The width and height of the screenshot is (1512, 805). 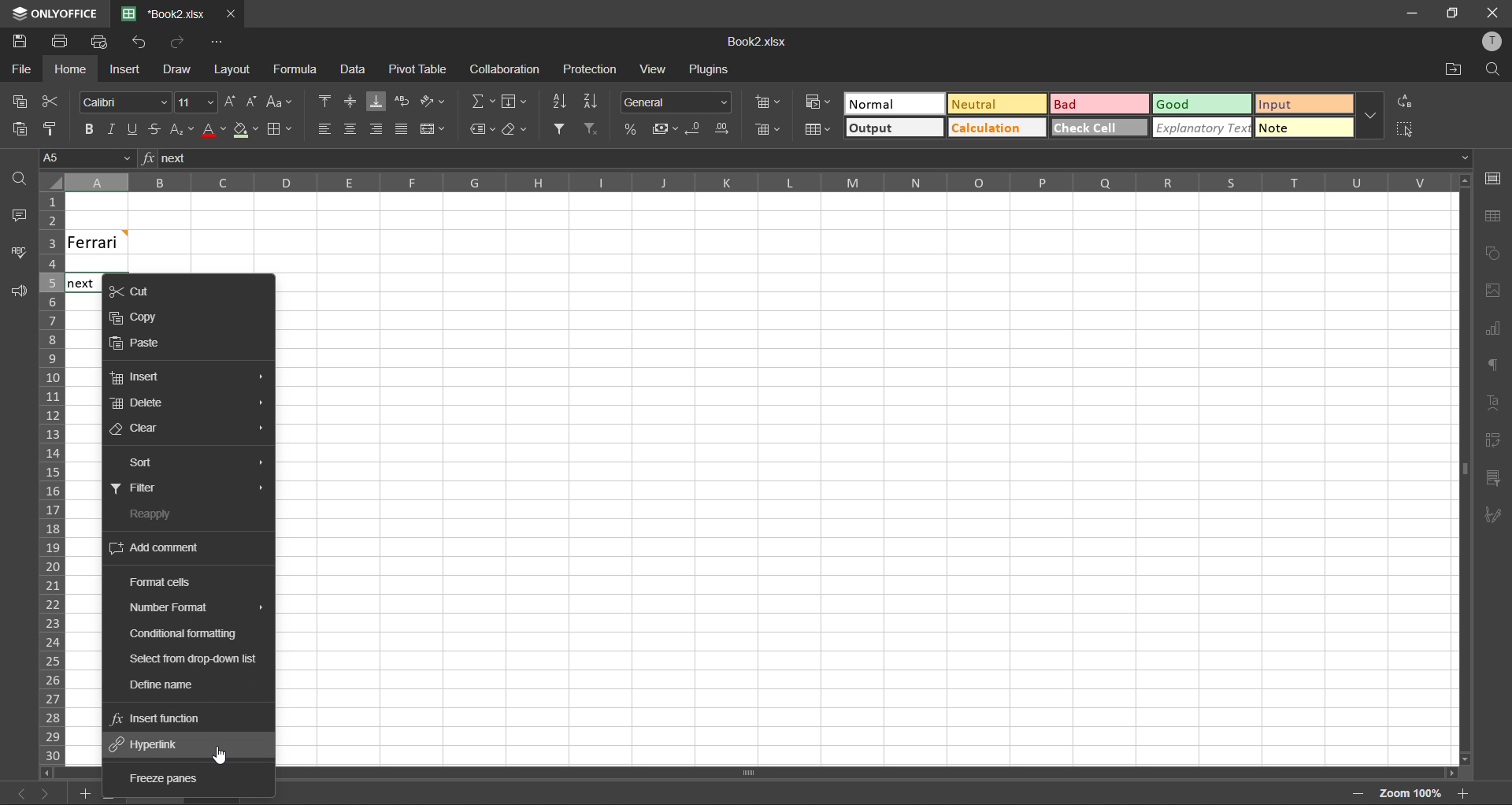 What do you see at coordinates (1450, 13) in the screenshot?
I see `maximize` at bounding box center [1450, 13].